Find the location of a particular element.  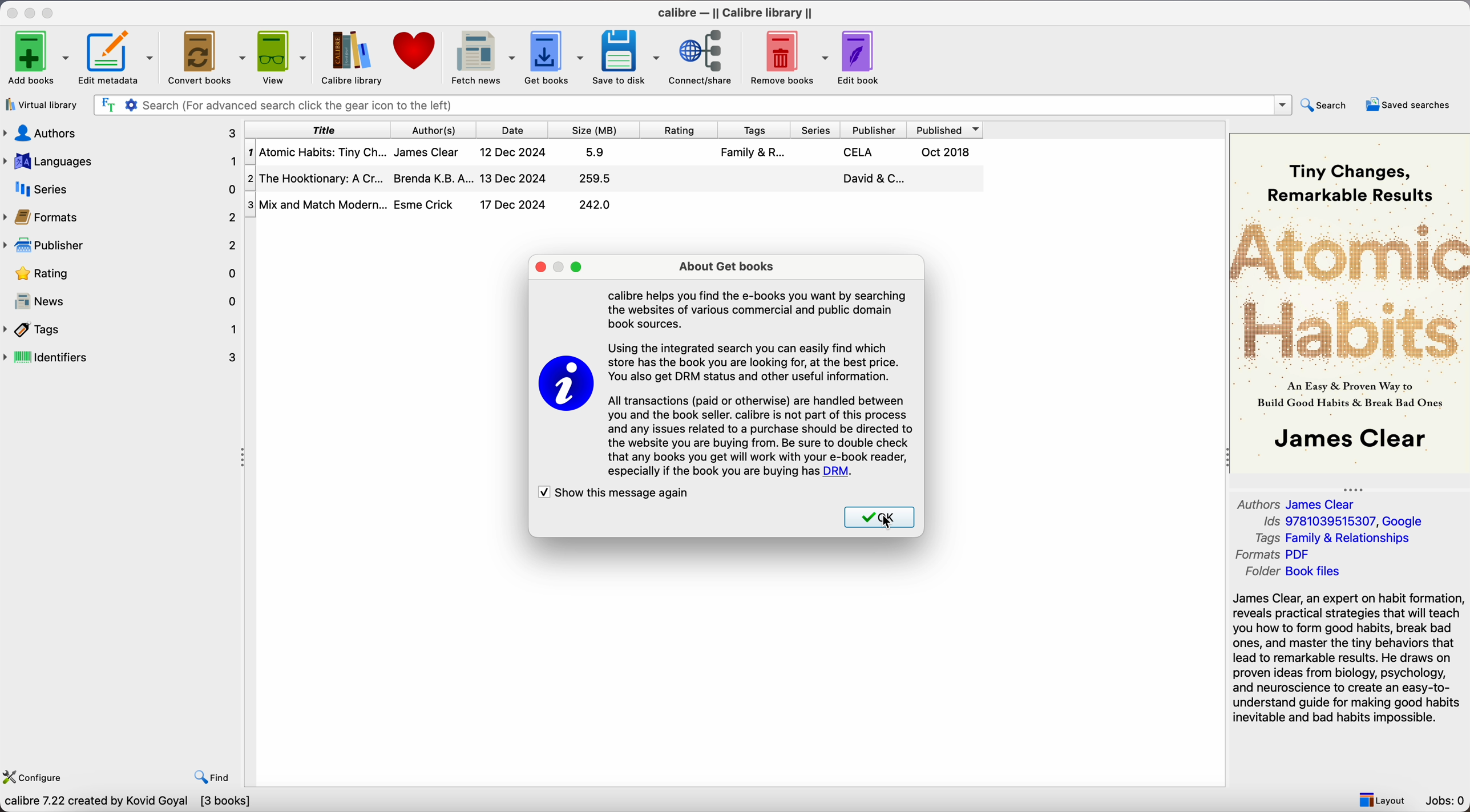

published is located at coordinates (949, 130).